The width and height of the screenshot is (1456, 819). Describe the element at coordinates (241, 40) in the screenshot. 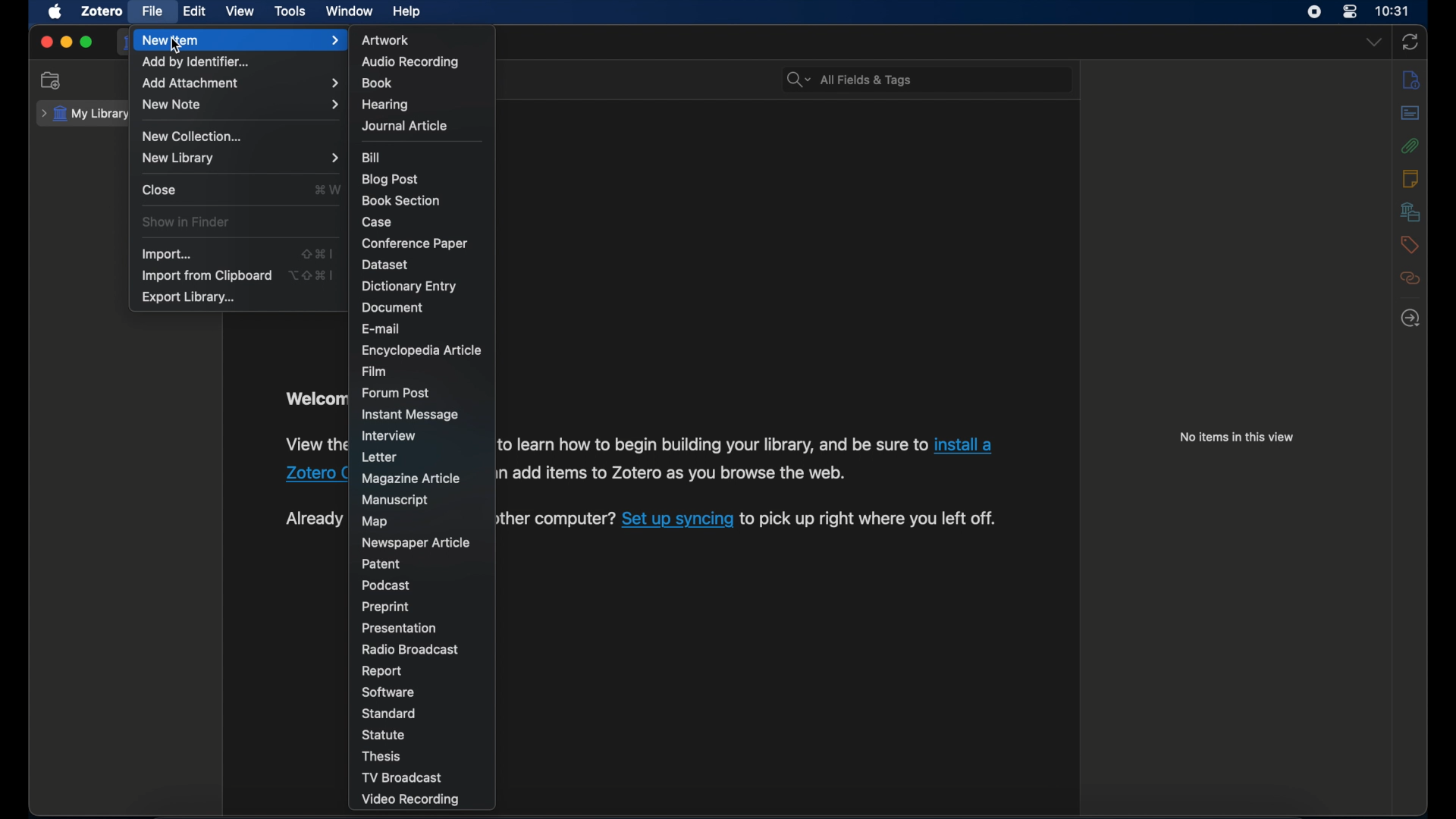

I see `new item` at that location.